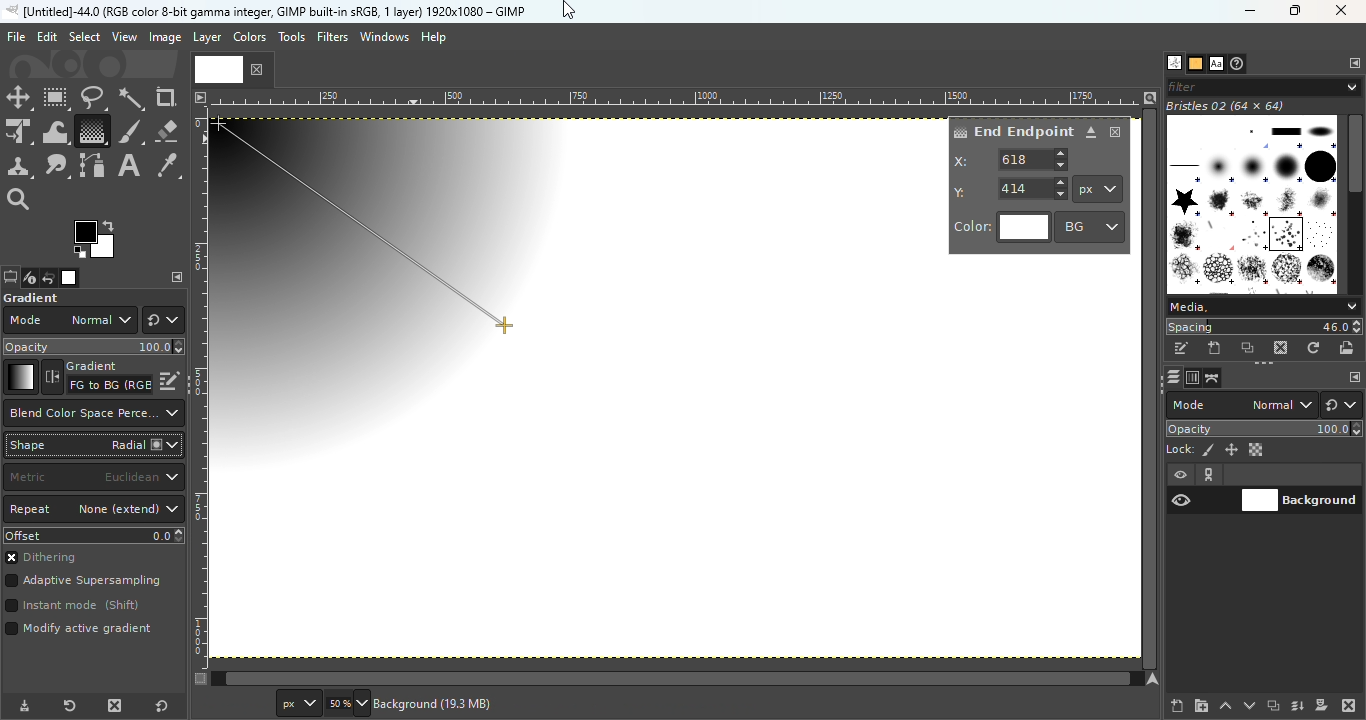  I want to click on Offset, so click(94, 535).